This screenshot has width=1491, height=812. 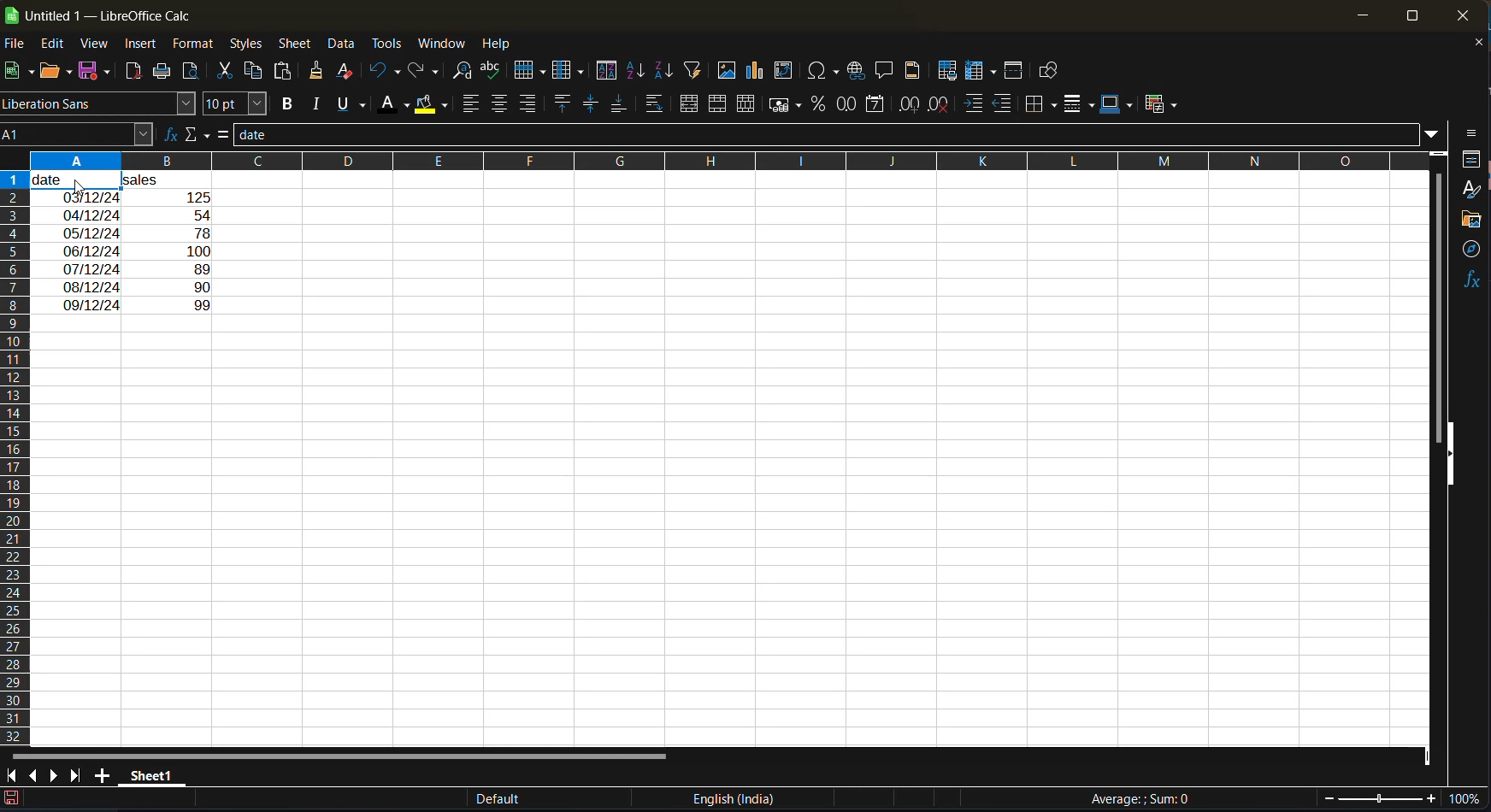 What do you see at coordinates (1471, 162) in the screenshot?
I see `properties` at bounding box center [1471, 162].